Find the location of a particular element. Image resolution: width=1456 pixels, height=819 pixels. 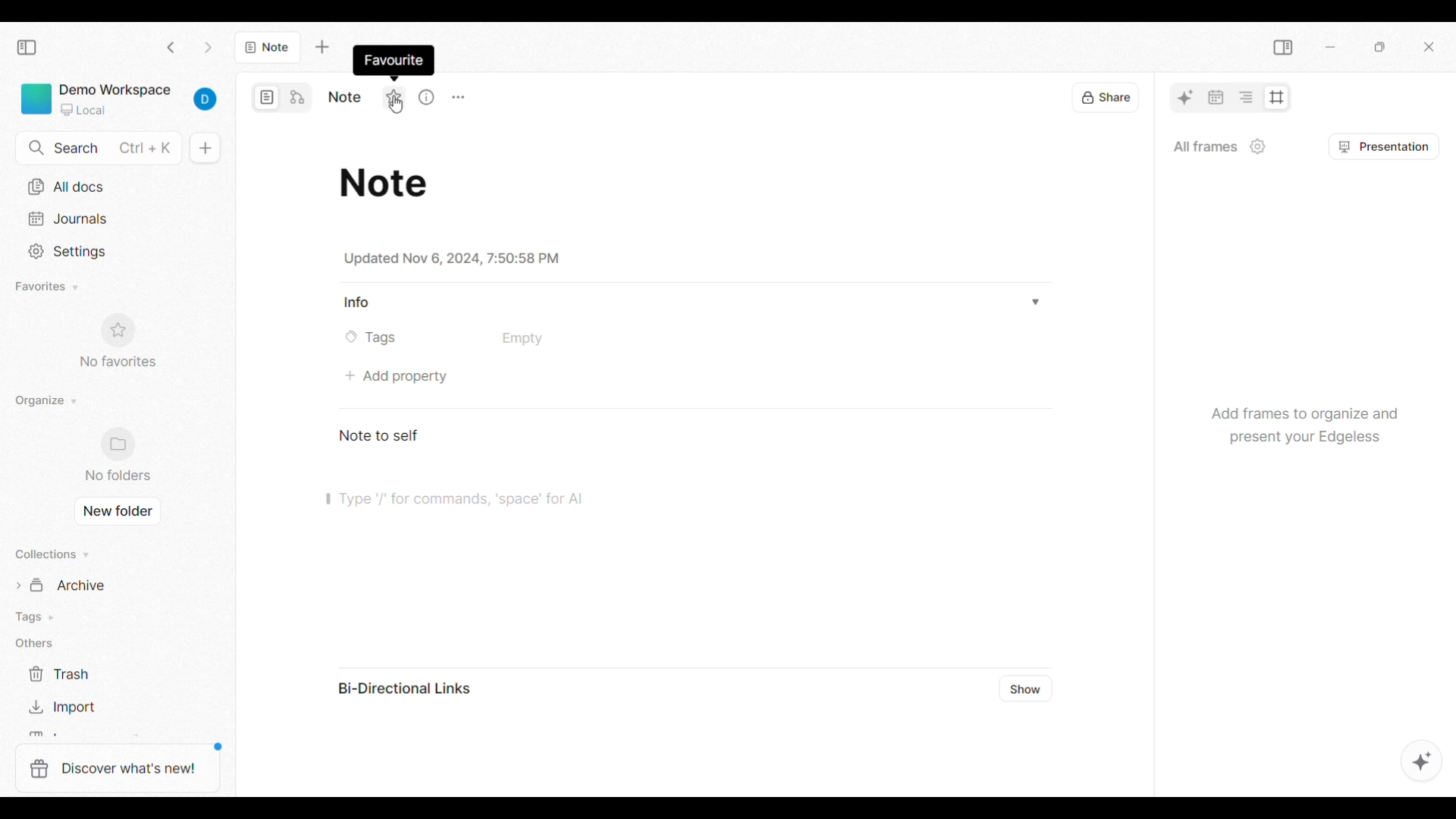

All frame settings is located at coordinates (1258, 146).